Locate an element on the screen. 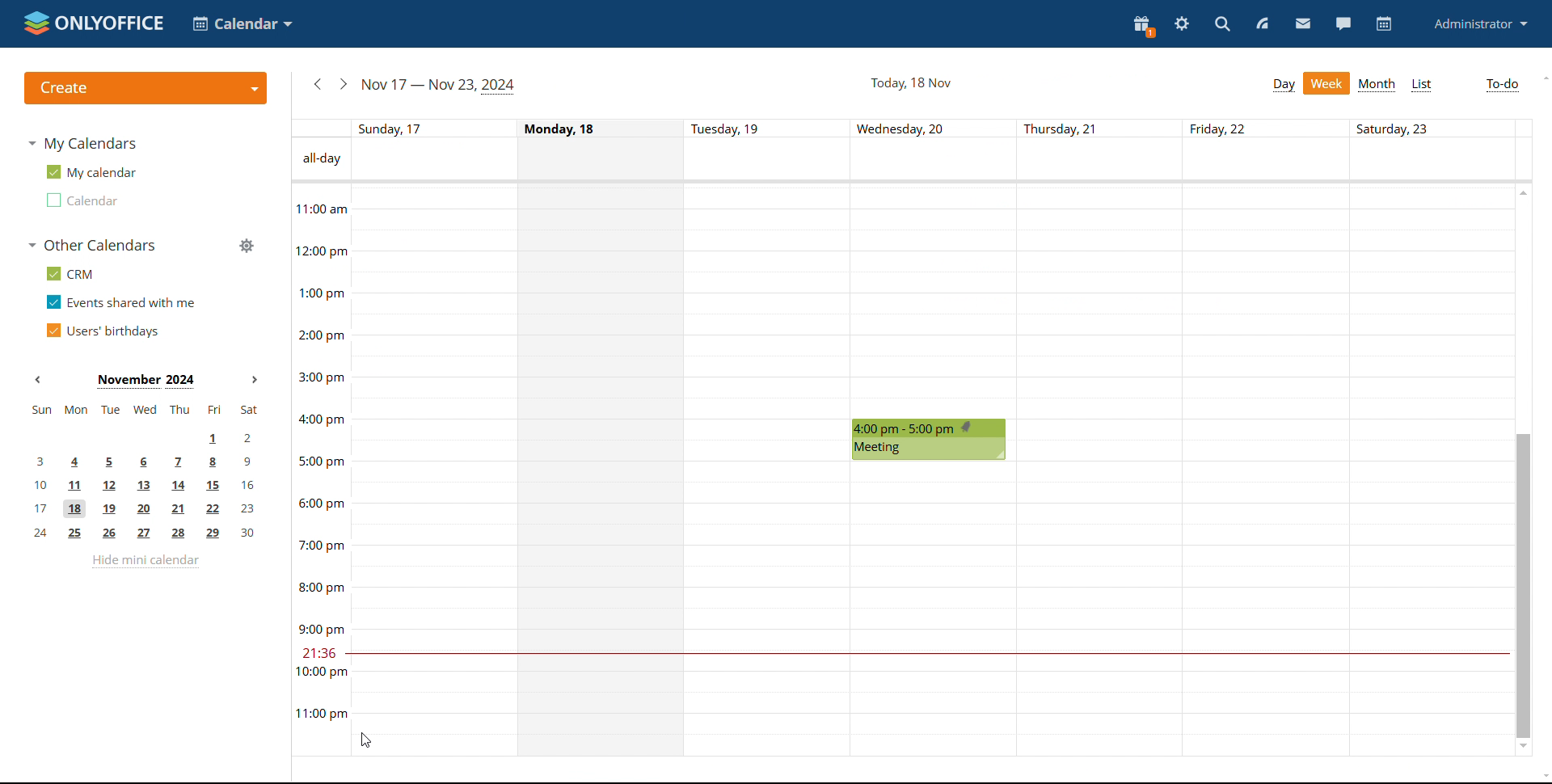  chat is located at coordinates (1342, 24).